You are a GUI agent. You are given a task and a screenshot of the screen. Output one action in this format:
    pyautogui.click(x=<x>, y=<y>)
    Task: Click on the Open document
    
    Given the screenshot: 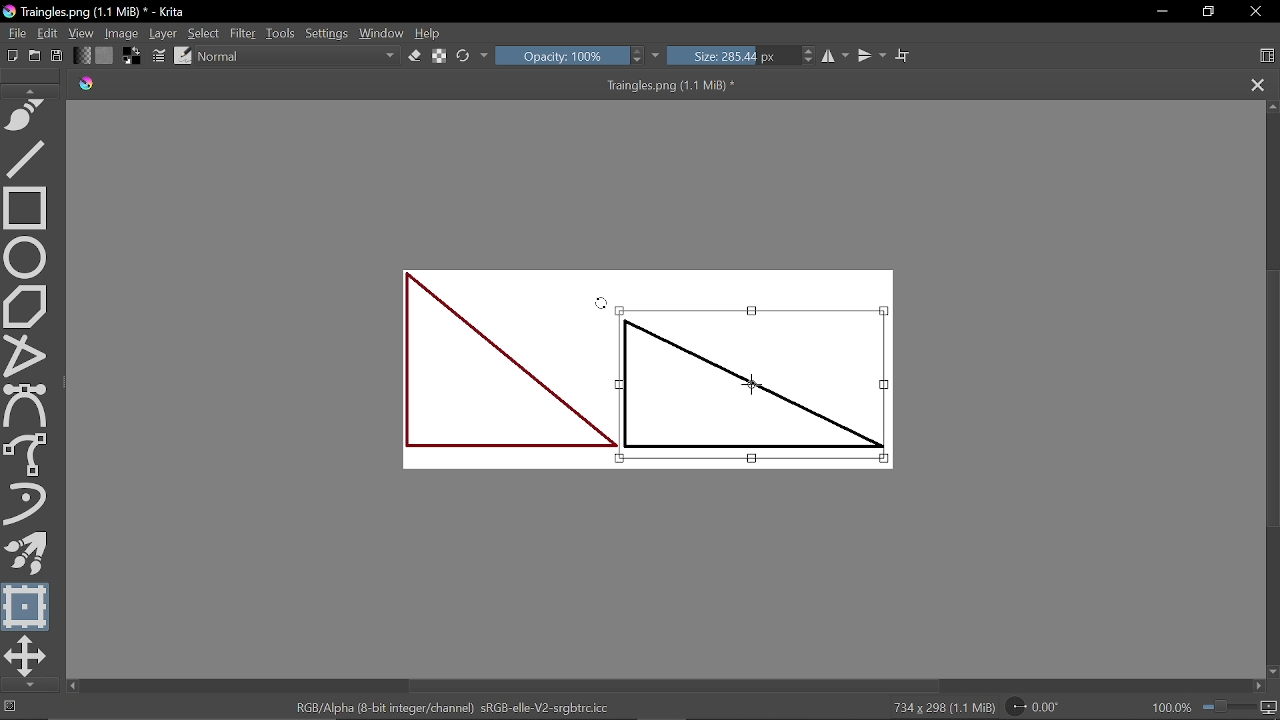 What is the action you would take?
    pyautogui.click(x=34, y=55)
    